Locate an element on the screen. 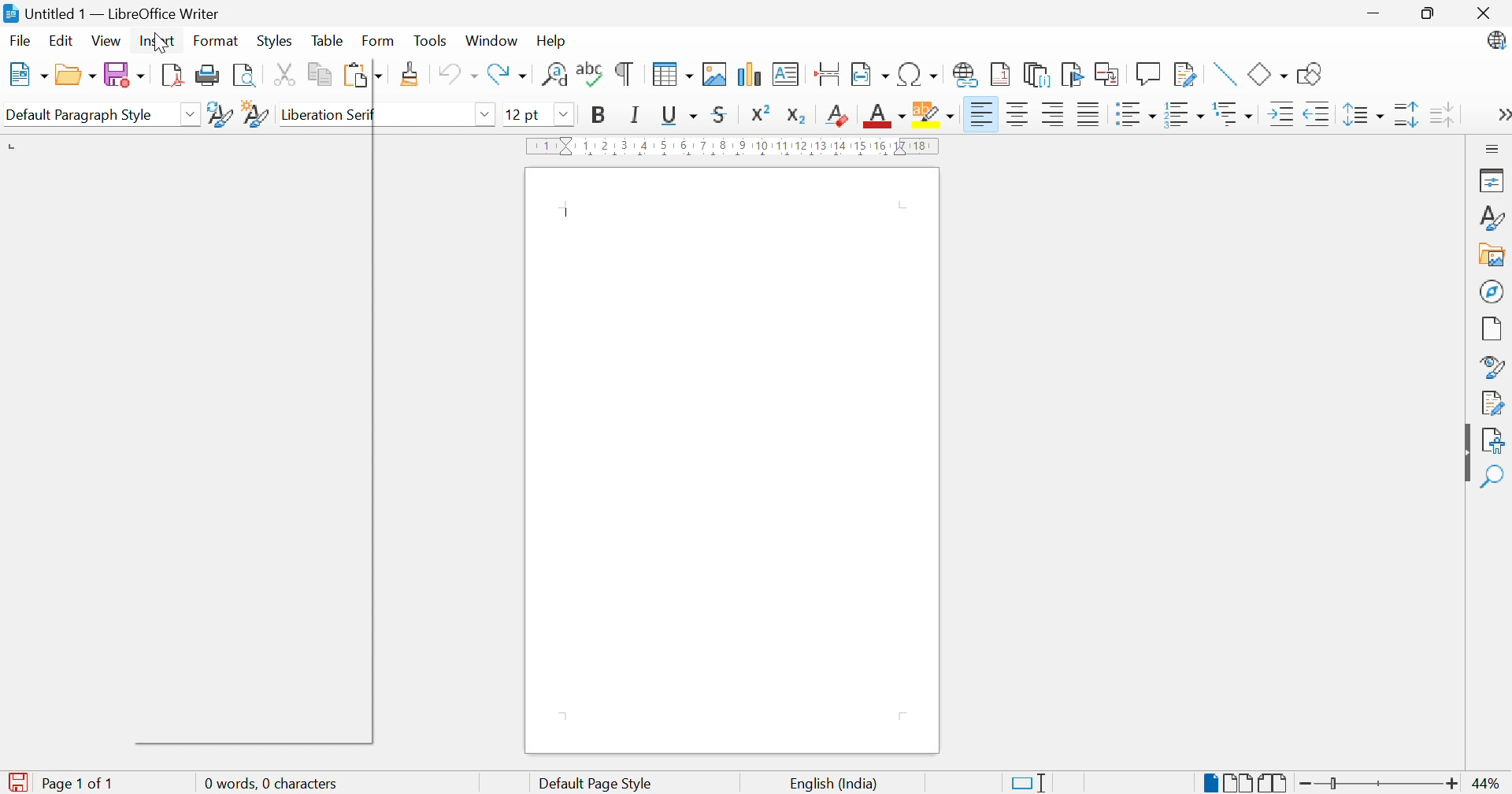 Image resolution: width=1512 pixels, height=794 pixels. Paste is located at coordinates (367, 76).